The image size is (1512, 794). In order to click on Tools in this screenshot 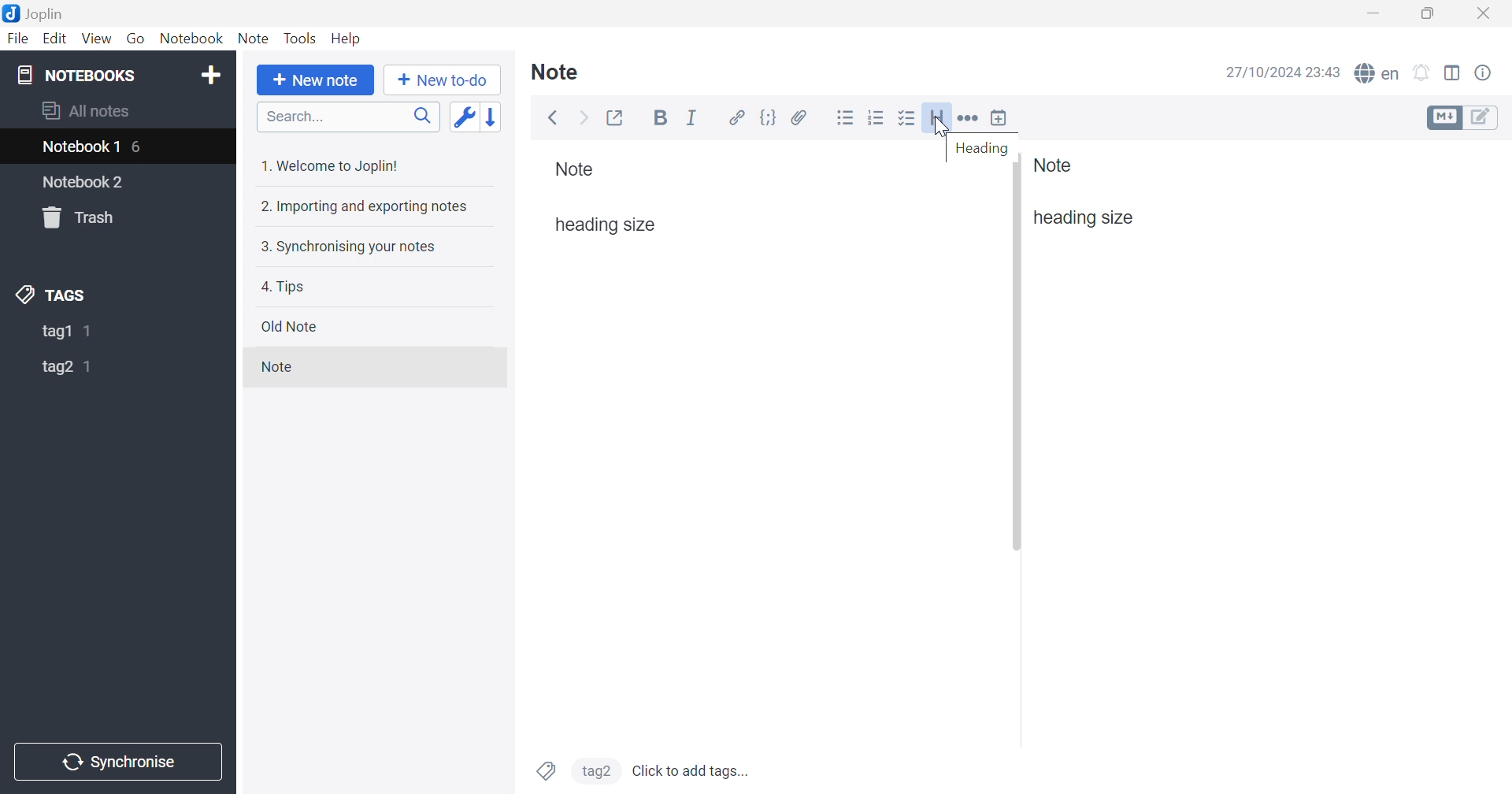, I will do `click(302, 38)`.